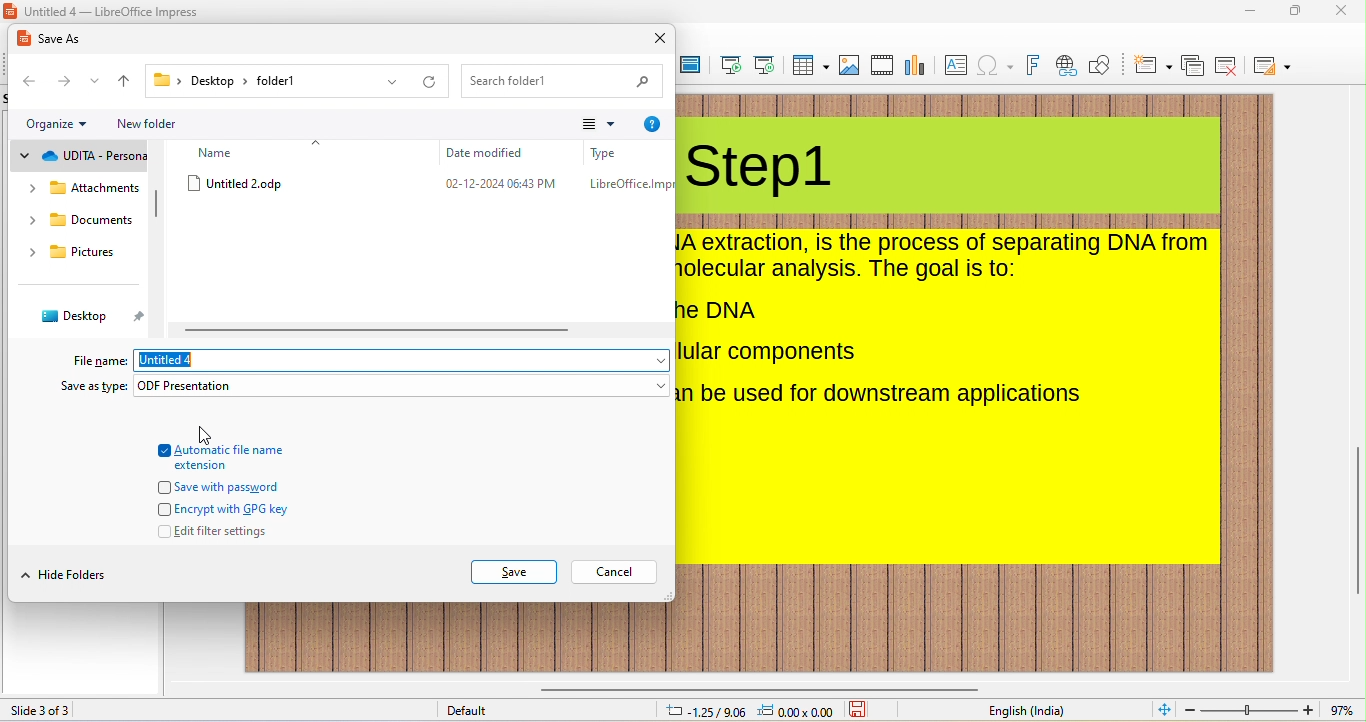  Describe the element at coordinates (85, 124) in the screenshot. I see `drop down` at that location.